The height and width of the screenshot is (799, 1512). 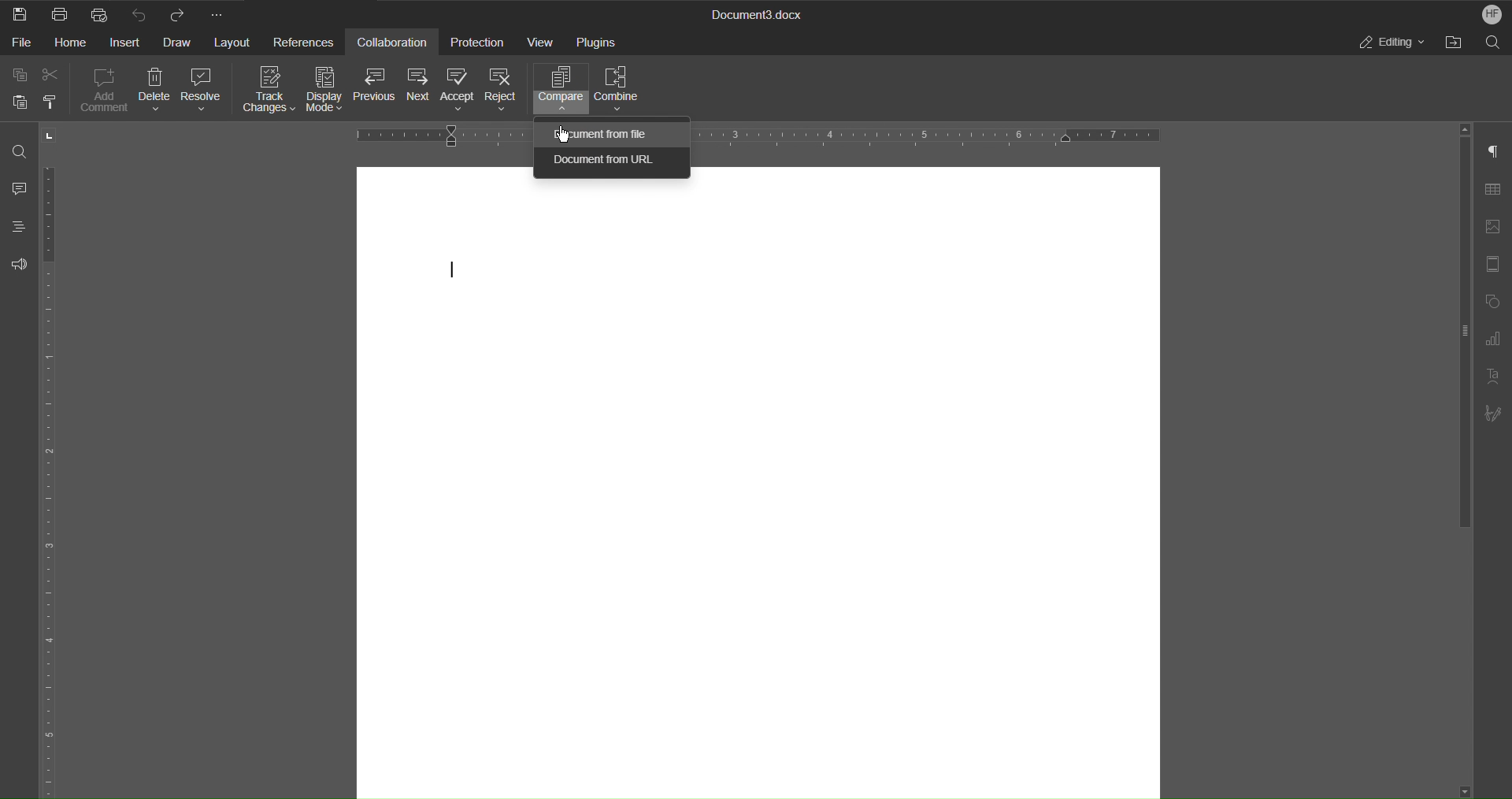 I want to click on Scroll bar, so click(x=1458, y=341).